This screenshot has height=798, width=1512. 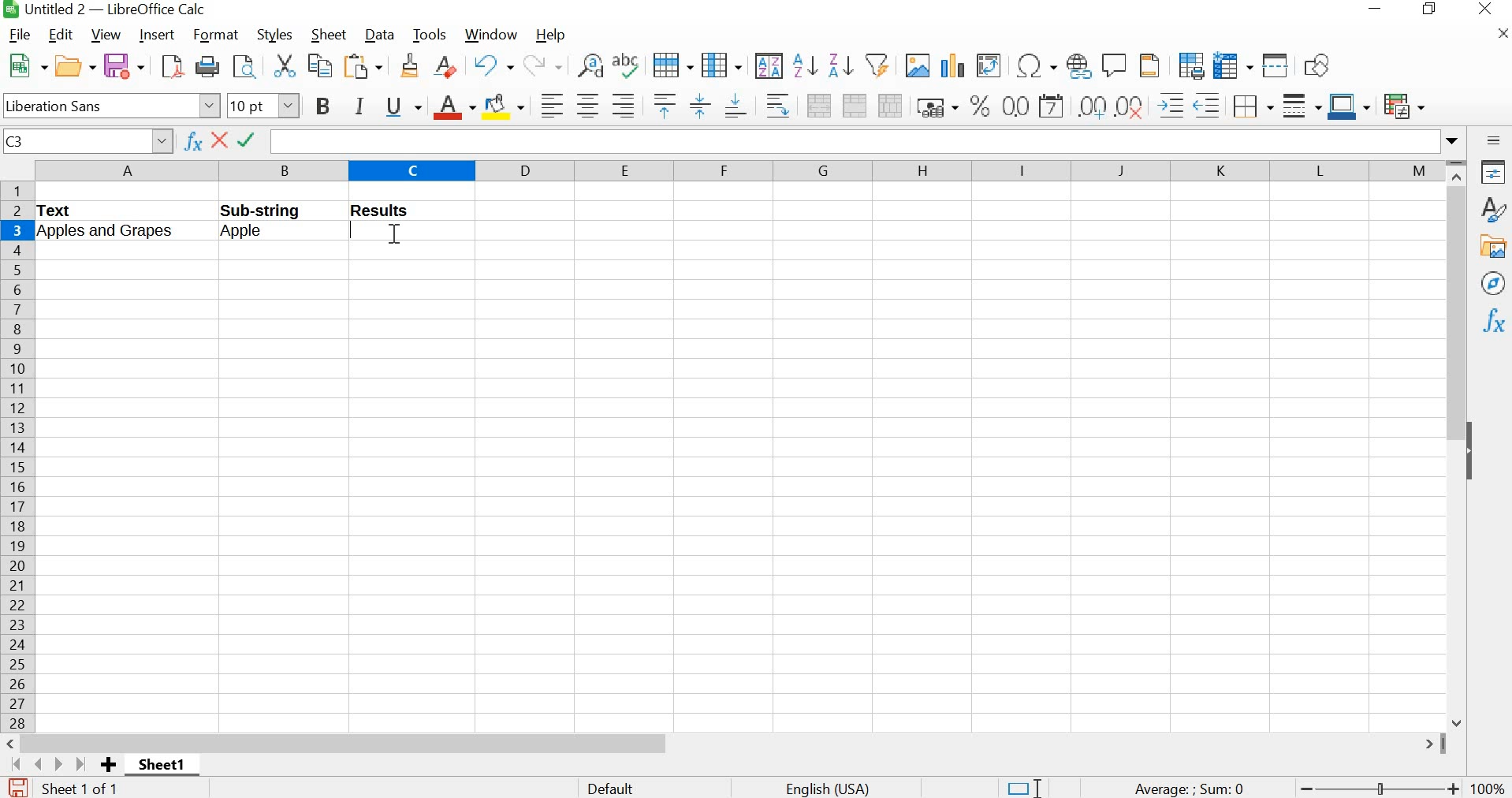 I want to click on increase indent, so click(x=1171, y=104).